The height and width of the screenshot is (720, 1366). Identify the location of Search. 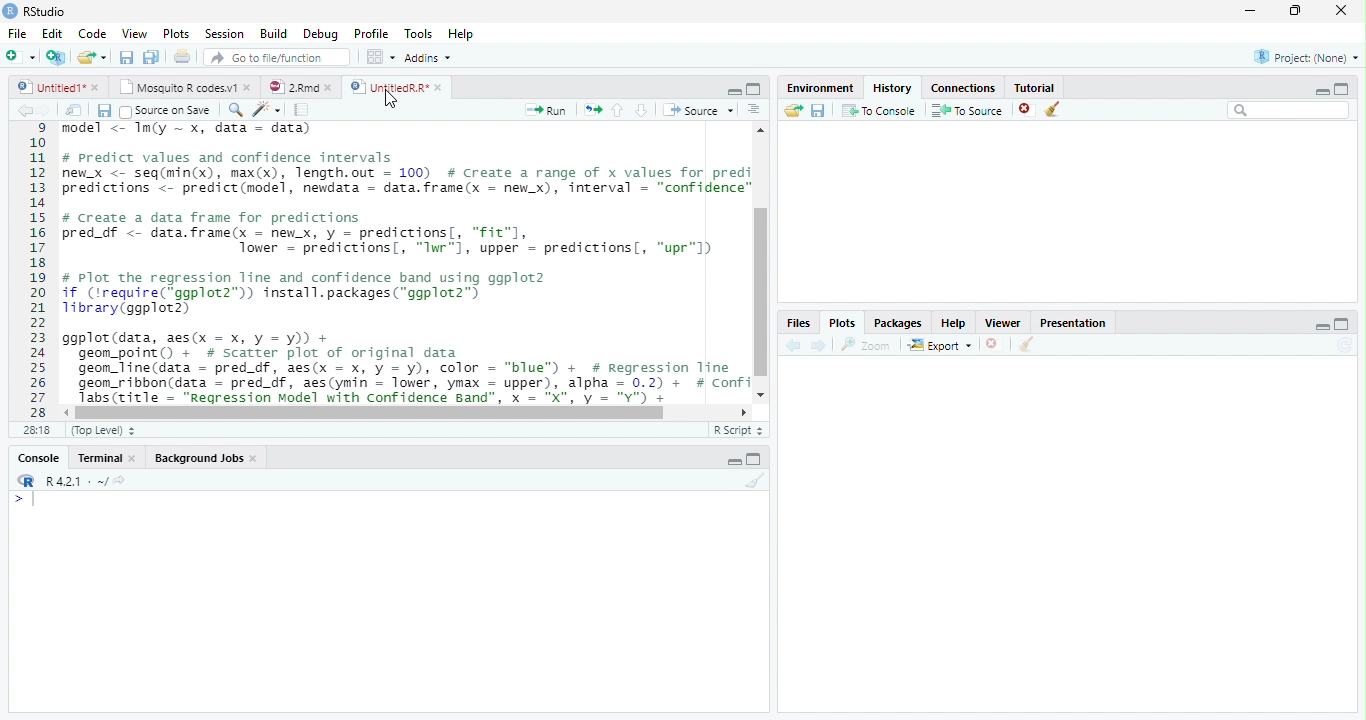
(1291, 110).